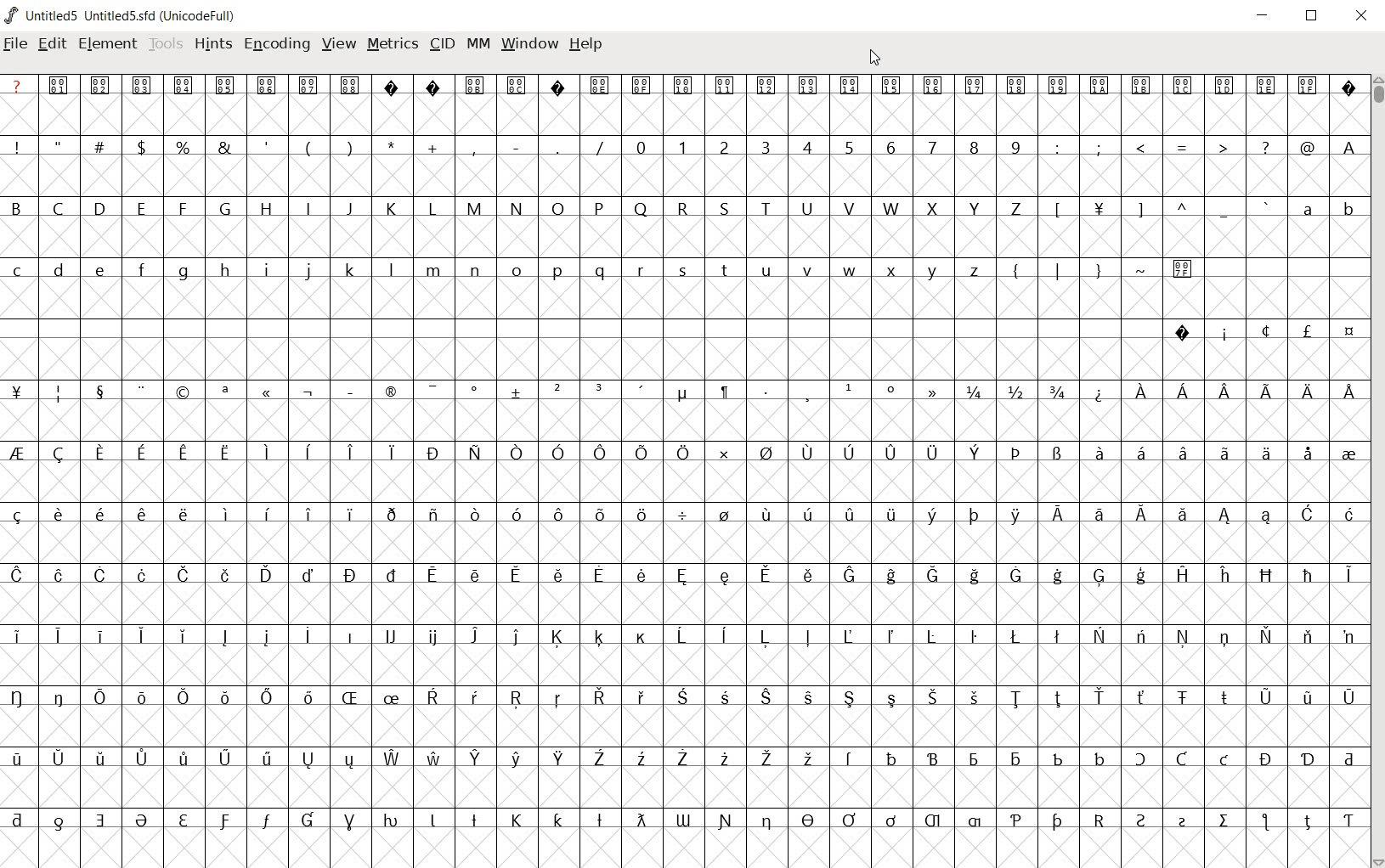  Describe the element at coordinates (934, 270) in the screenshot. I see `y` at that location.